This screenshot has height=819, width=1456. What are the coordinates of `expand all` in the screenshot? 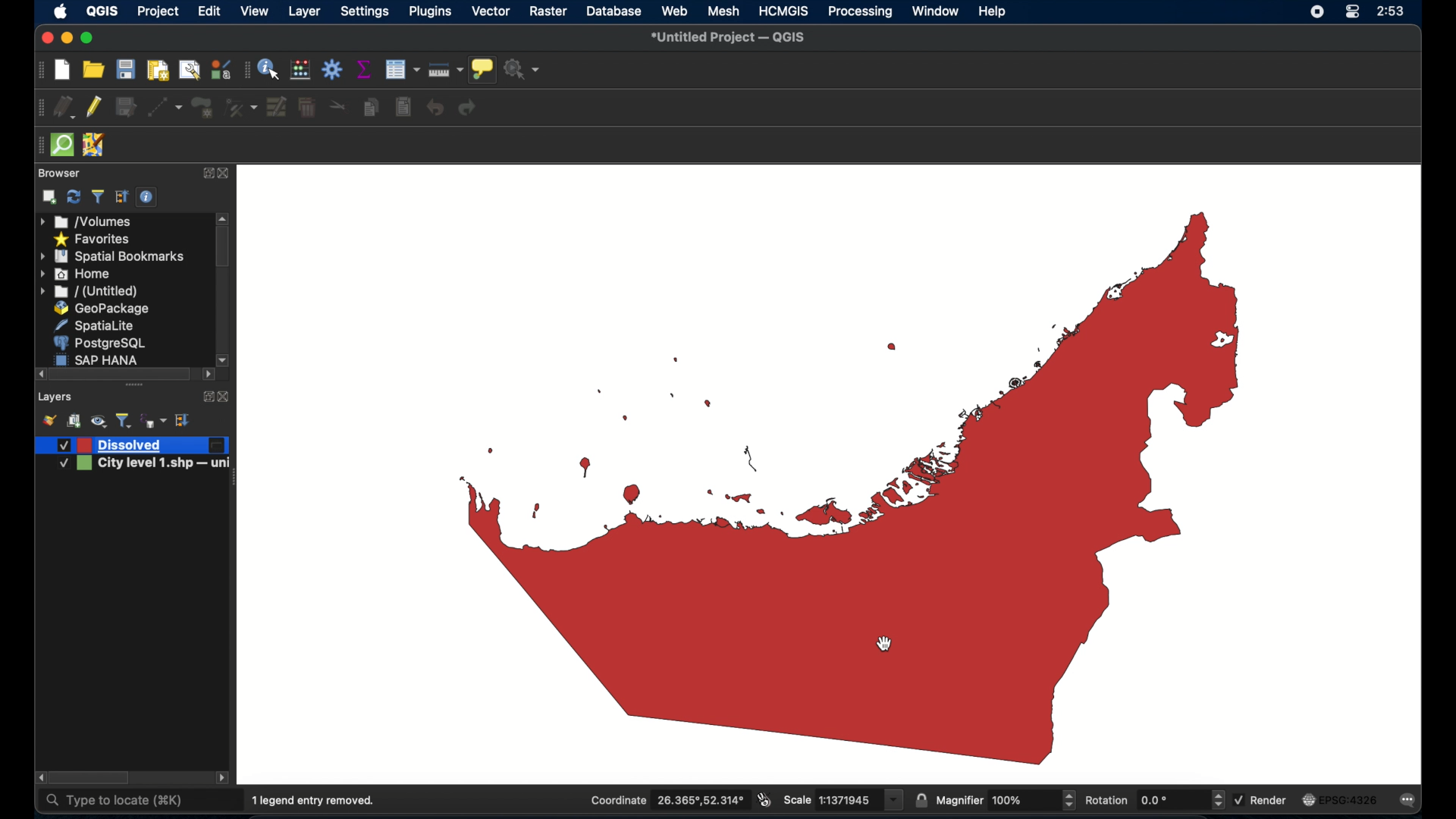 It's located at (184, 420).